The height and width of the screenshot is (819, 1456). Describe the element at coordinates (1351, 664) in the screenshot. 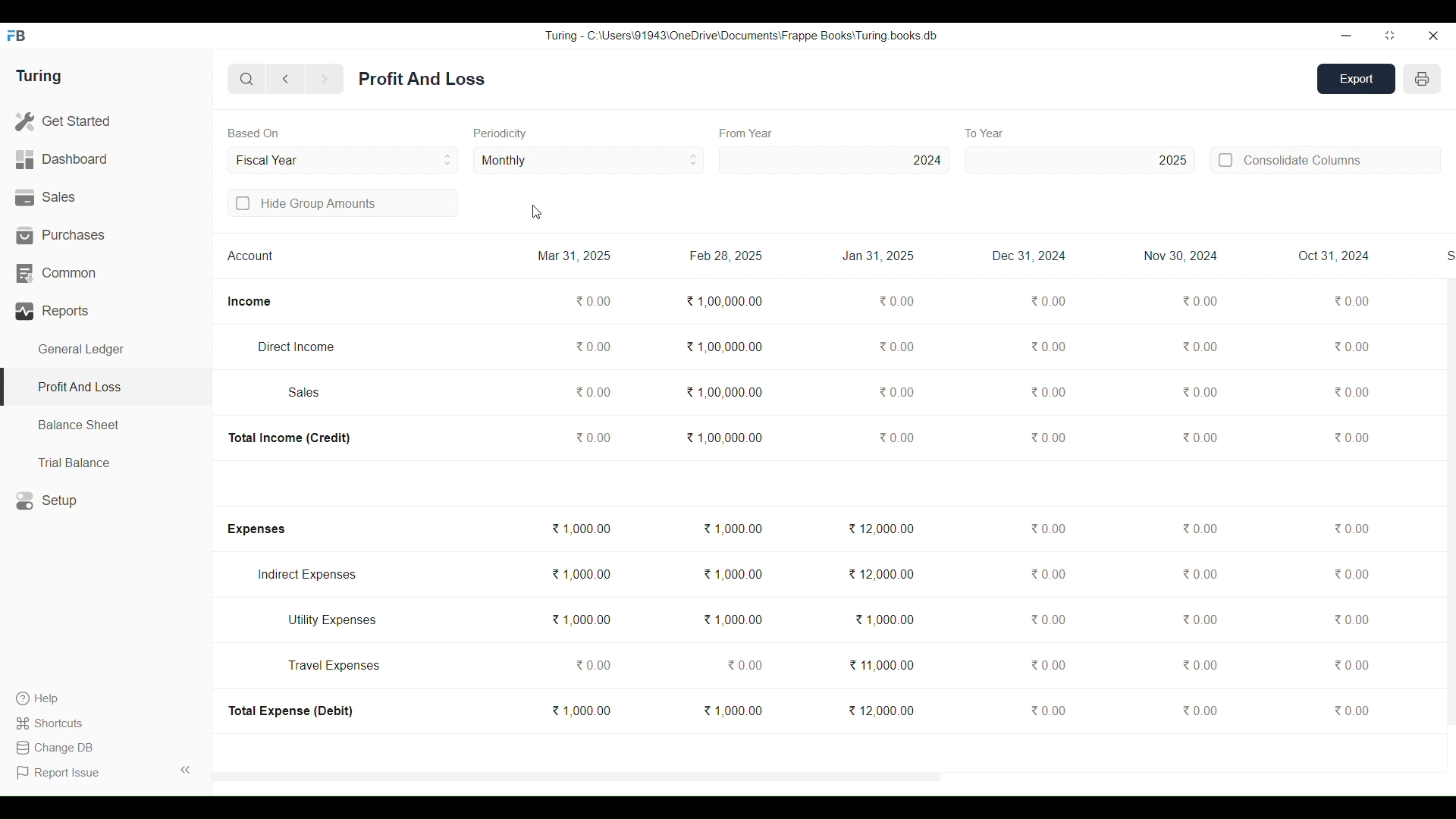

I see `0.00` at that location.